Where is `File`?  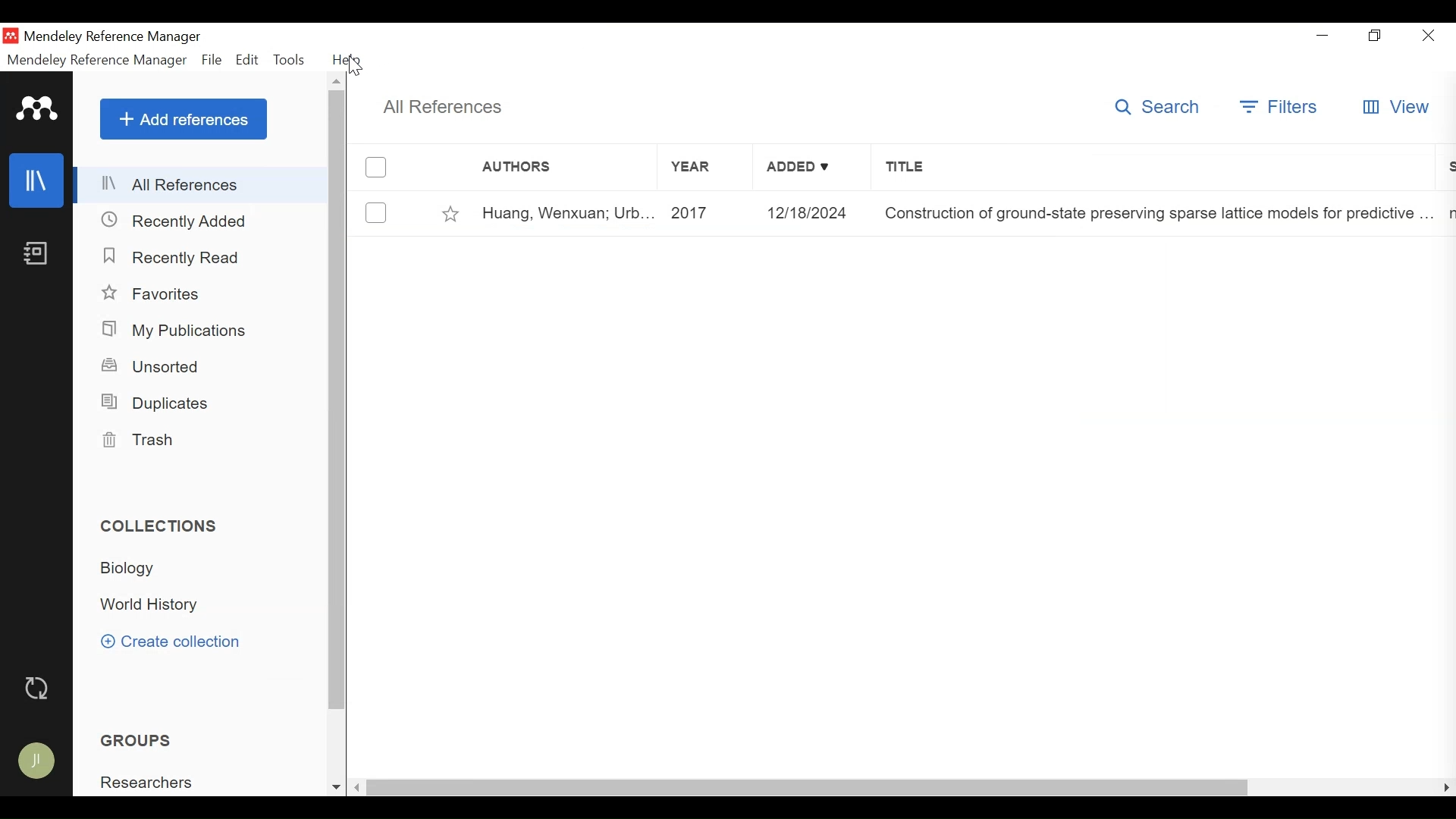 File is located at coordinates (212, 61).